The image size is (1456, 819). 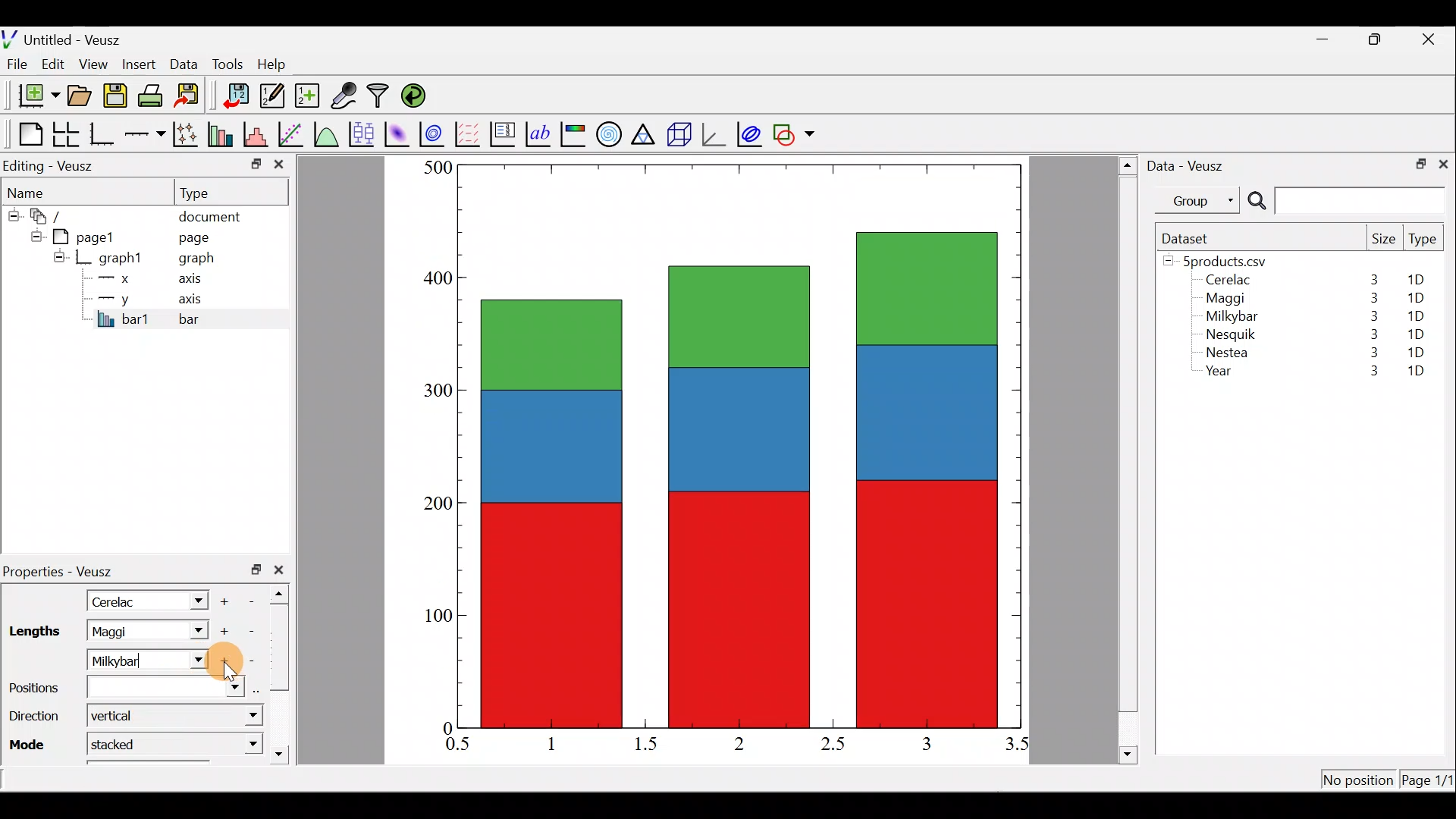 I want to click on bar chart inserted, so click(x=741, y=444).